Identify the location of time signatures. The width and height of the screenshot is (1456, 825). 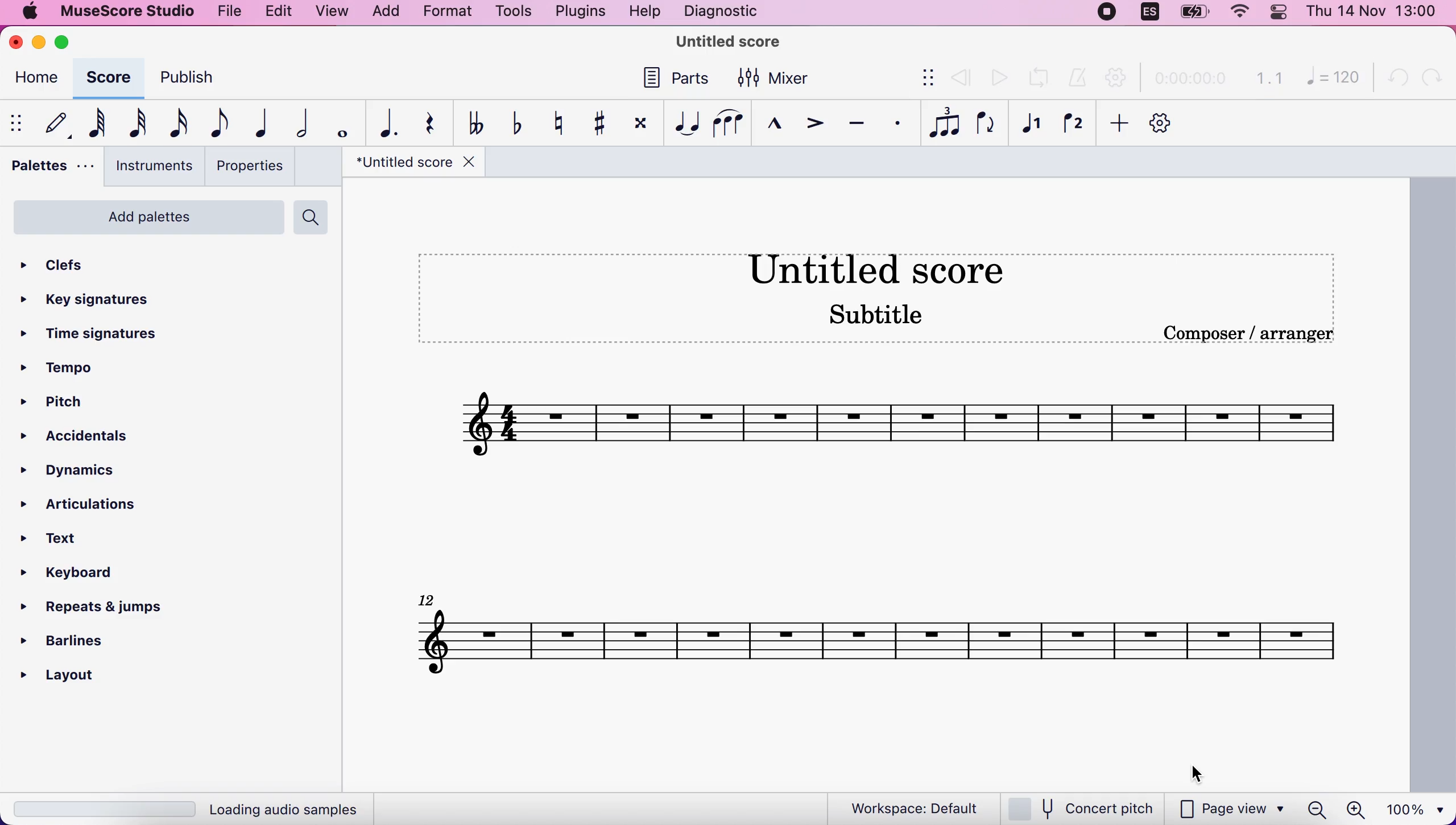
(88, 334).